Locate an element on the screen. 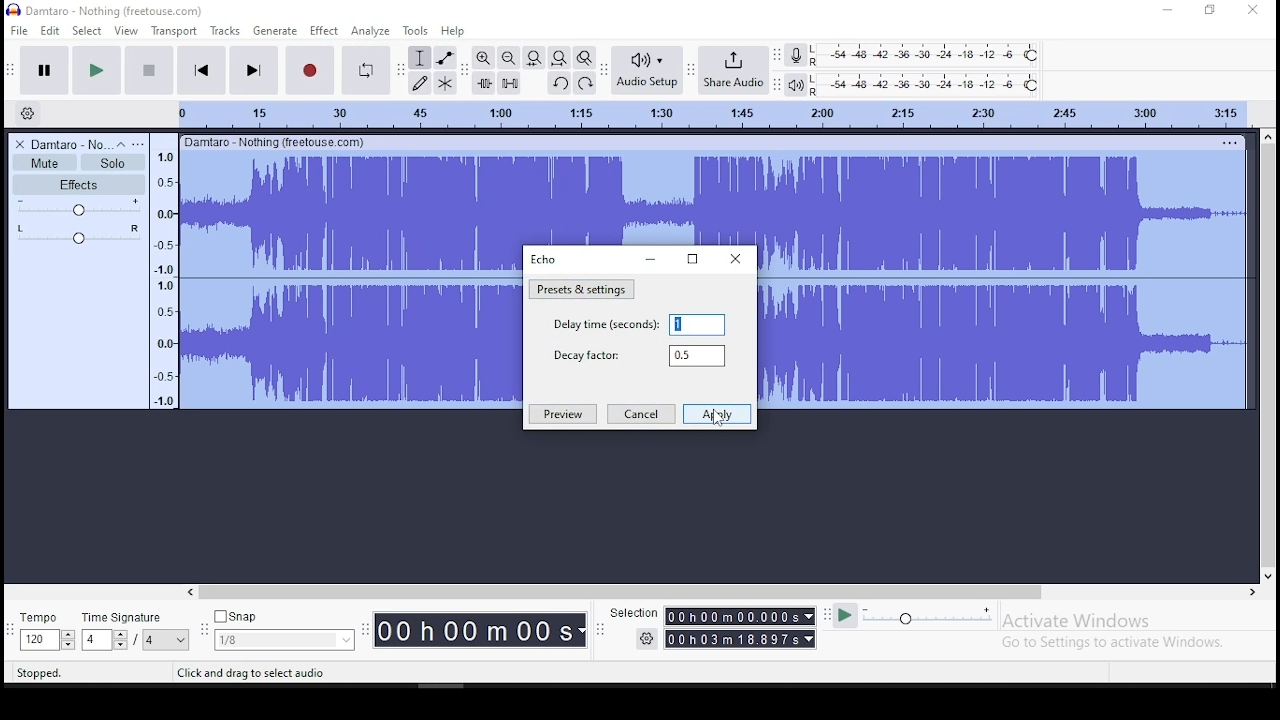 This screenshot has height=720, width=1280. Horizontal scrollbar is located at coordinates (708, 593).